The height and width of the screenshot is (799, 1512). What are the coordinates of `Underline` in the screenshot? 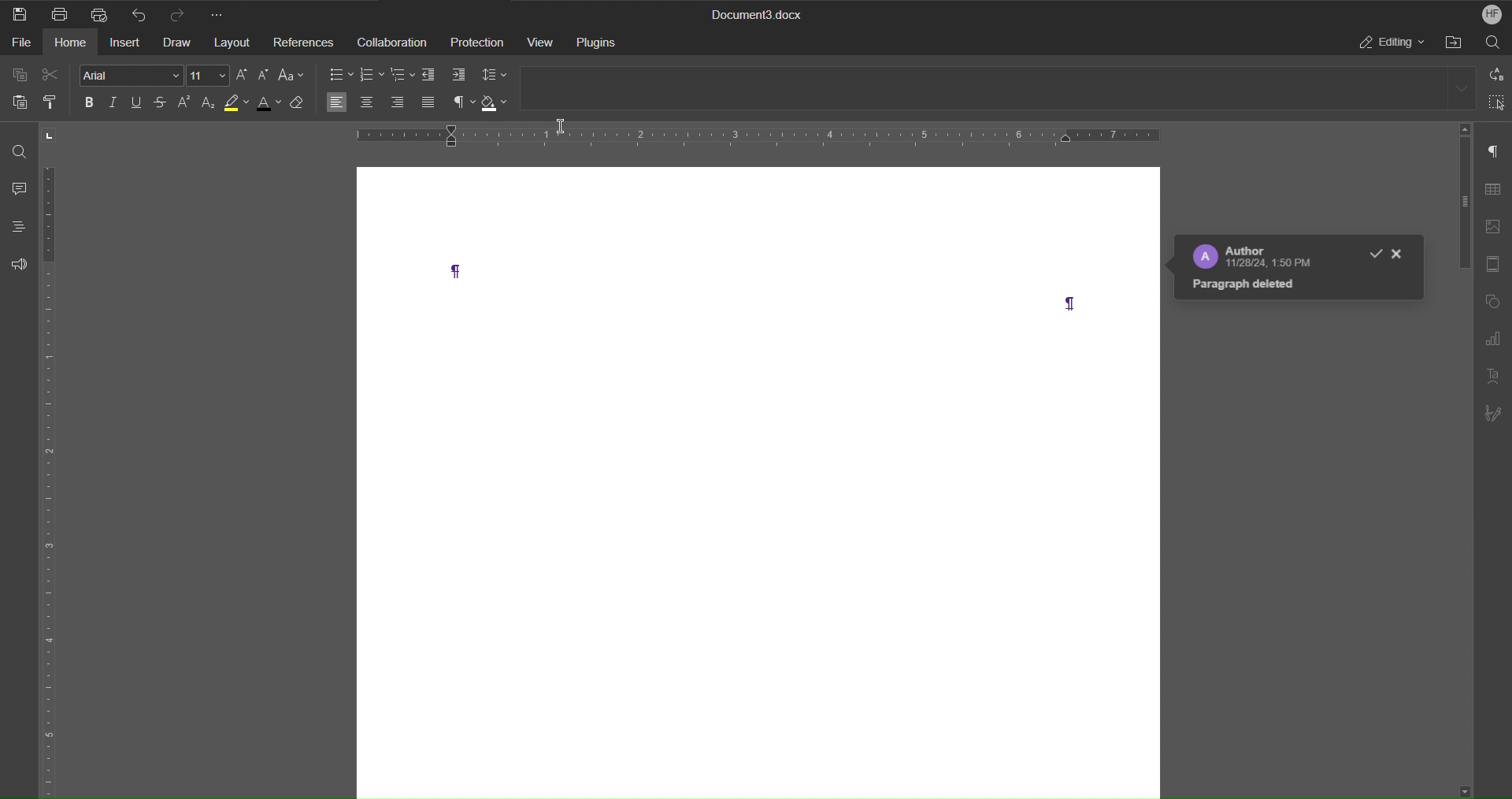 It's located at (139, 102).